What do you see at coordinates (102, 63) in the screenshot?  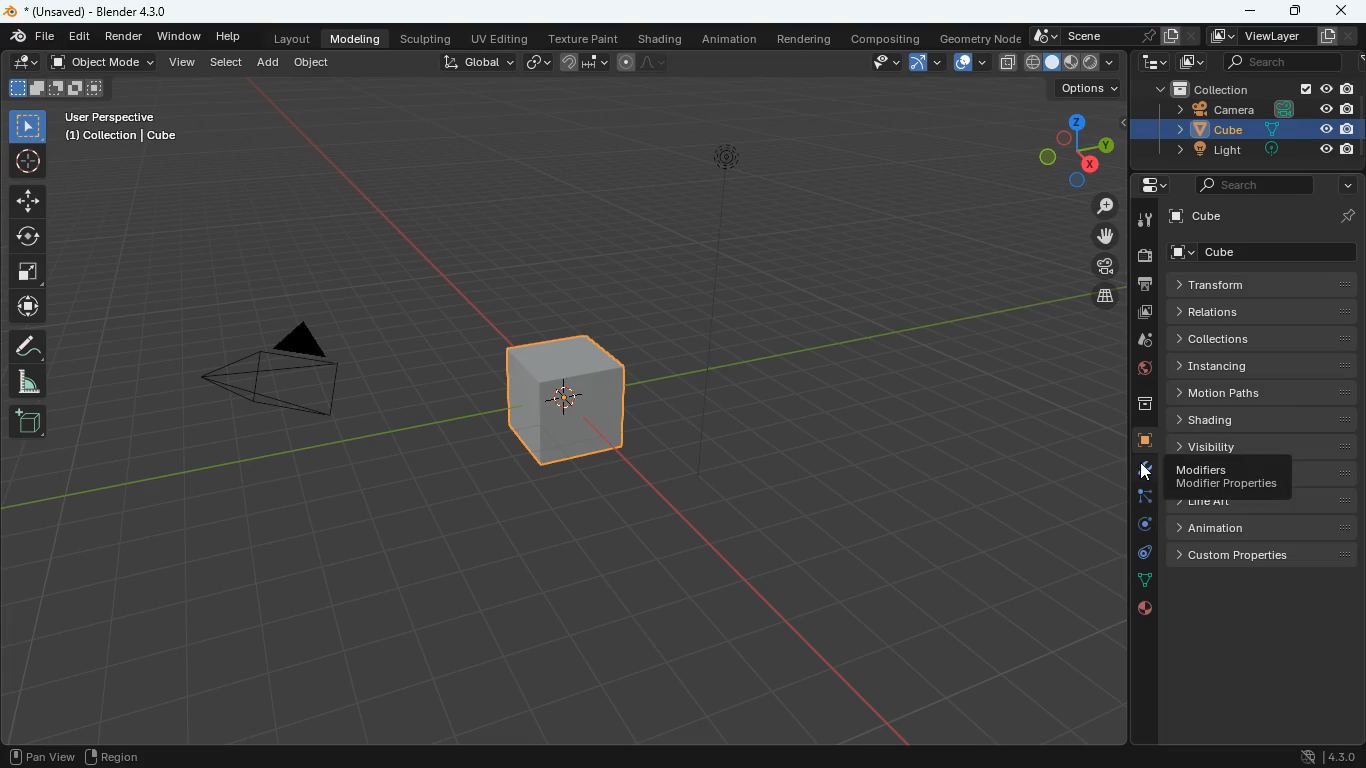 I see `object mode` at bounding box center [102, 63].